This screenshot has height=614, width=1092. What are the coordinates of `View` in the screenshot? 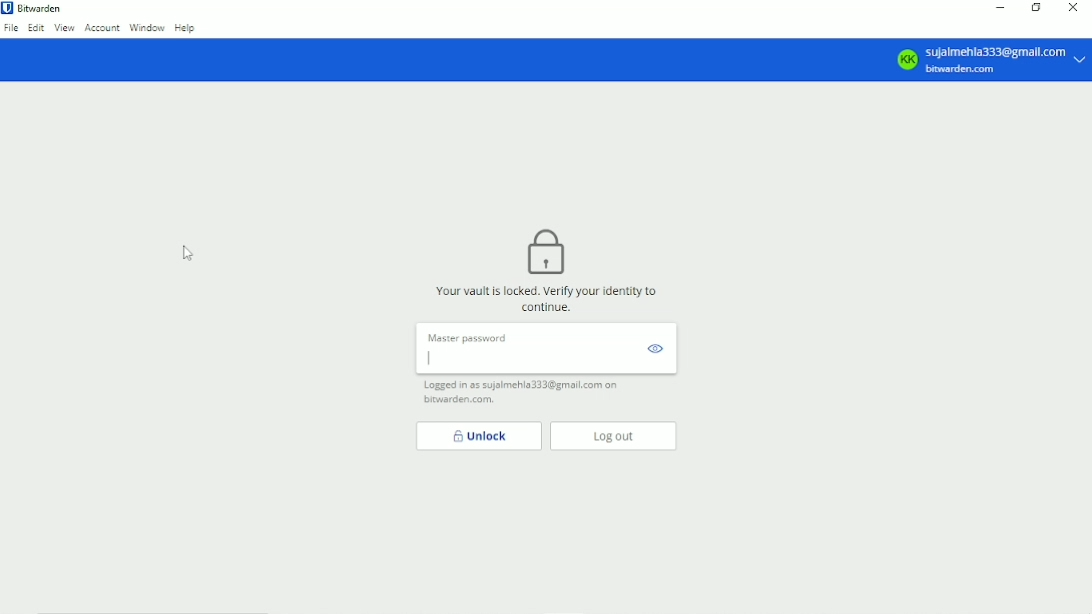 It's located at (64, 29).